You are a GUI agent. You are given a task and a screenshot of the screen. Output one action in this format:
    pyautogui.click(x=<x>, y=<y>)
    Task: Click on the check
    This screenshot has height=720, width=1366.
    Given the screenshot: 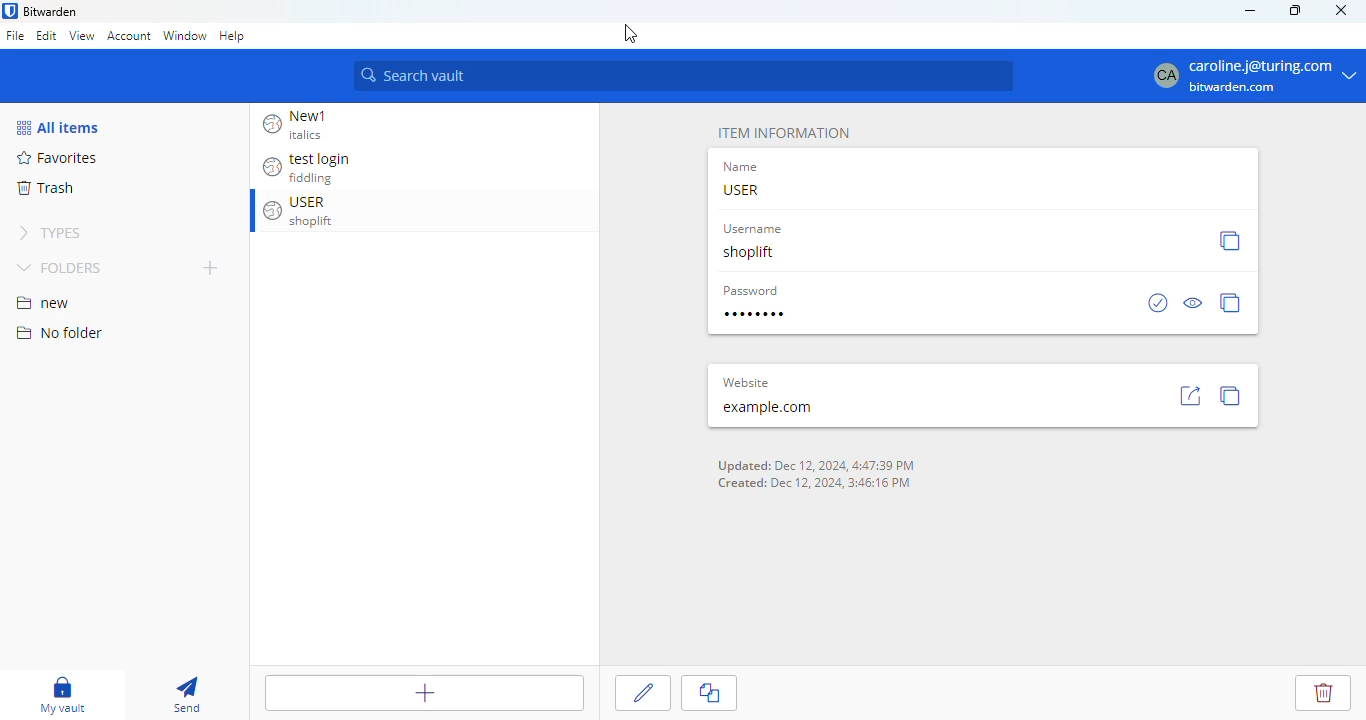 What is the action you would take?
    pyautogui.click(x=1156, y=300)
    